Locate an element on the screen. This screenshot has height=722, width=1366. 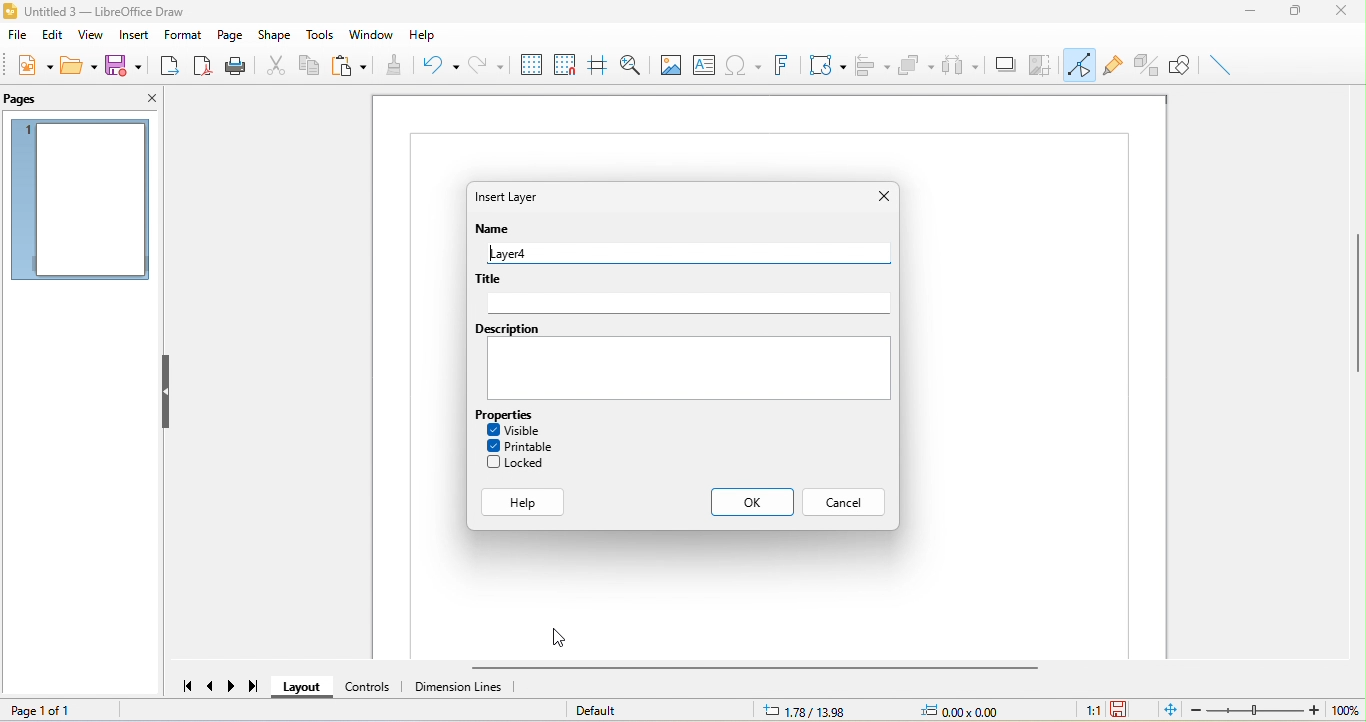
Title is located at coordinates (488, 279).